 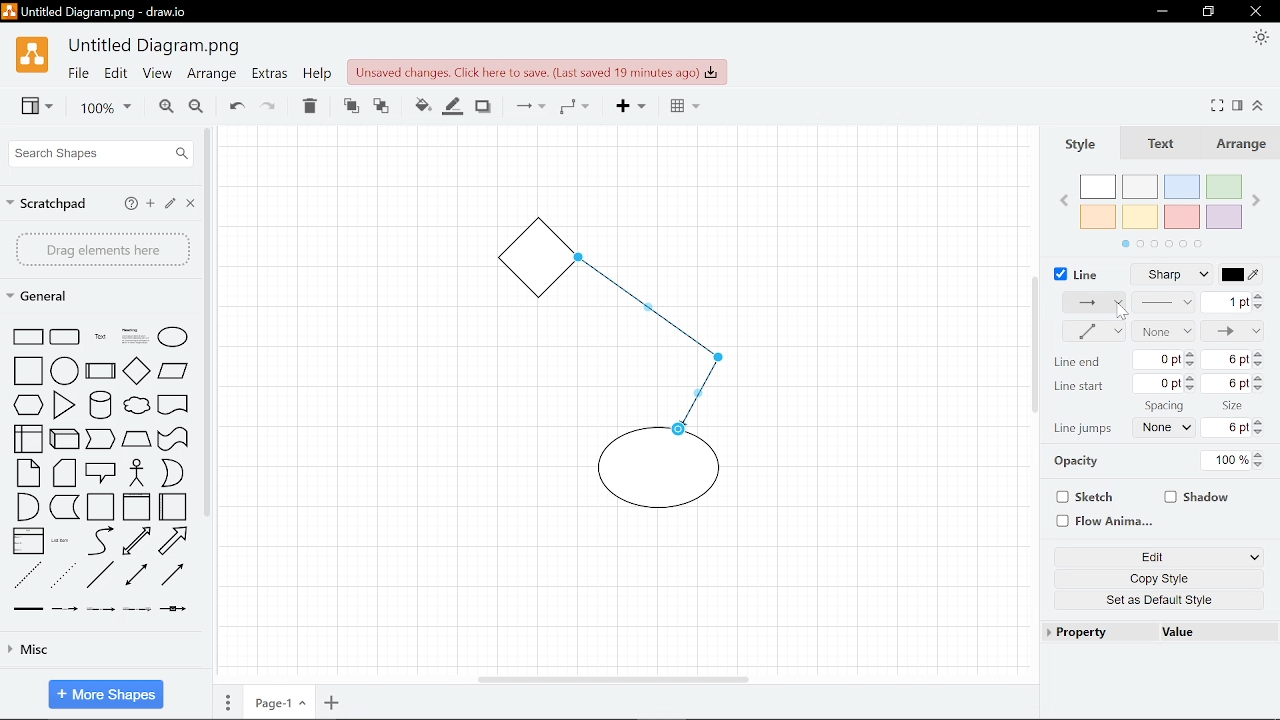 What do you see at coordinates (100, 337) in the screenshot?
I see `shape` at bounding box center [100, 337].